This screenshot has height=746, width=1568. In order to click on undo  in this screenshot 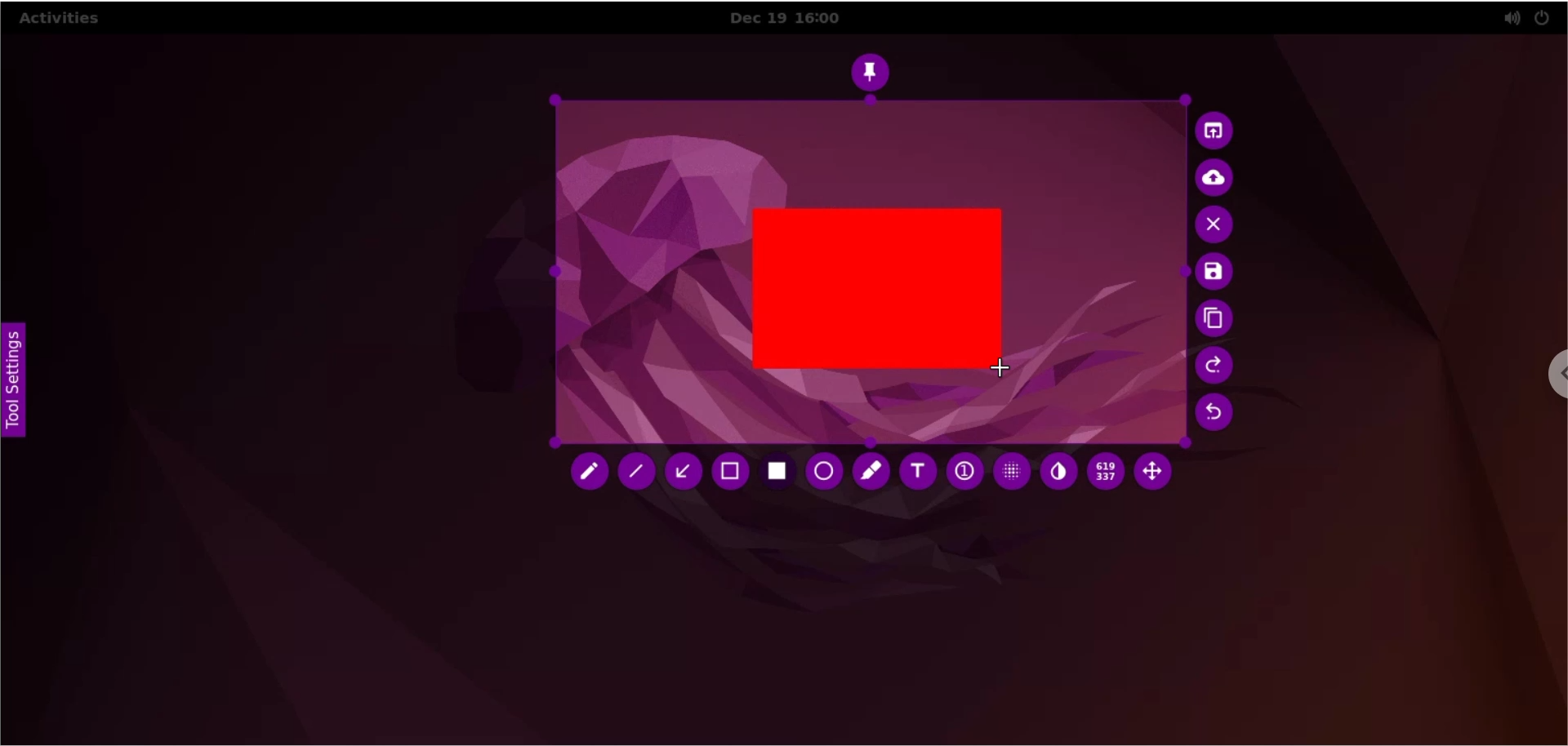, I will do `click(1214, 416)`.